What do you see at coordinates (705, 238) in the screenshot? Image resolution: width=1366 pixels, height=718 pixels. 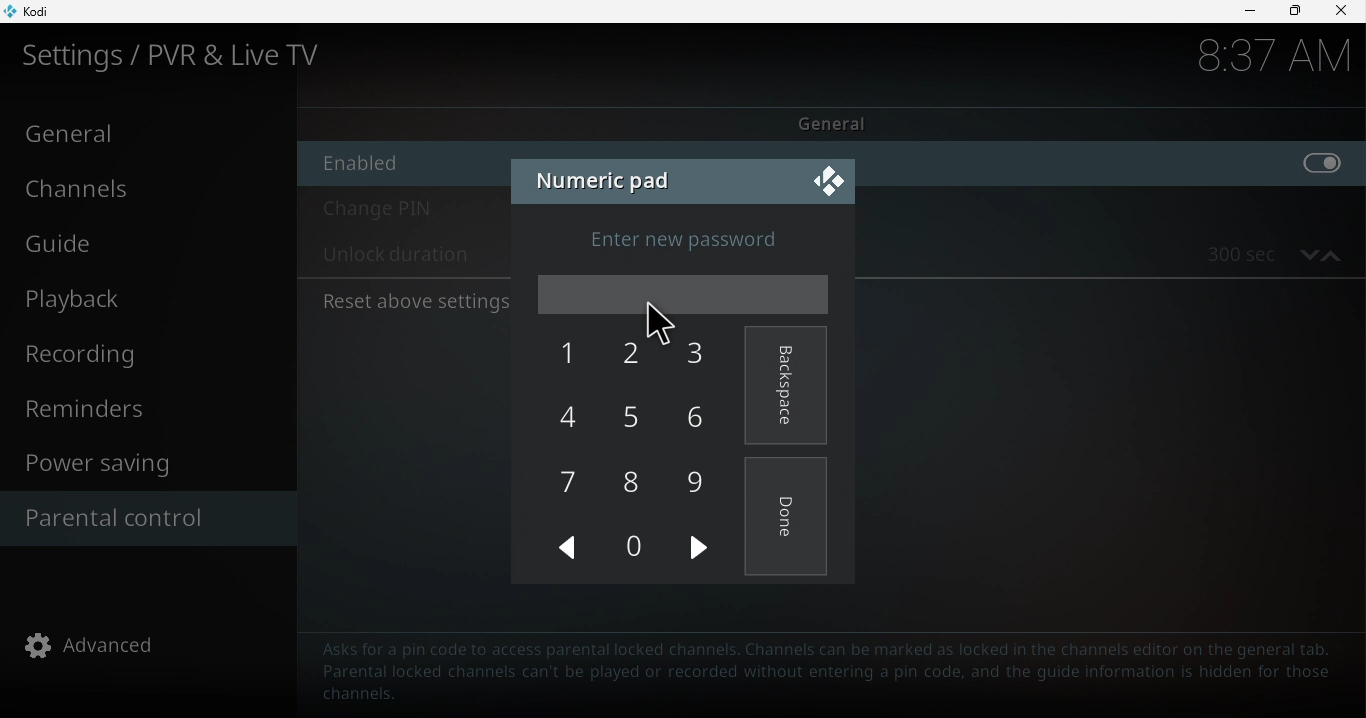 I see `Enter new password` at bounding box center [705, 238].